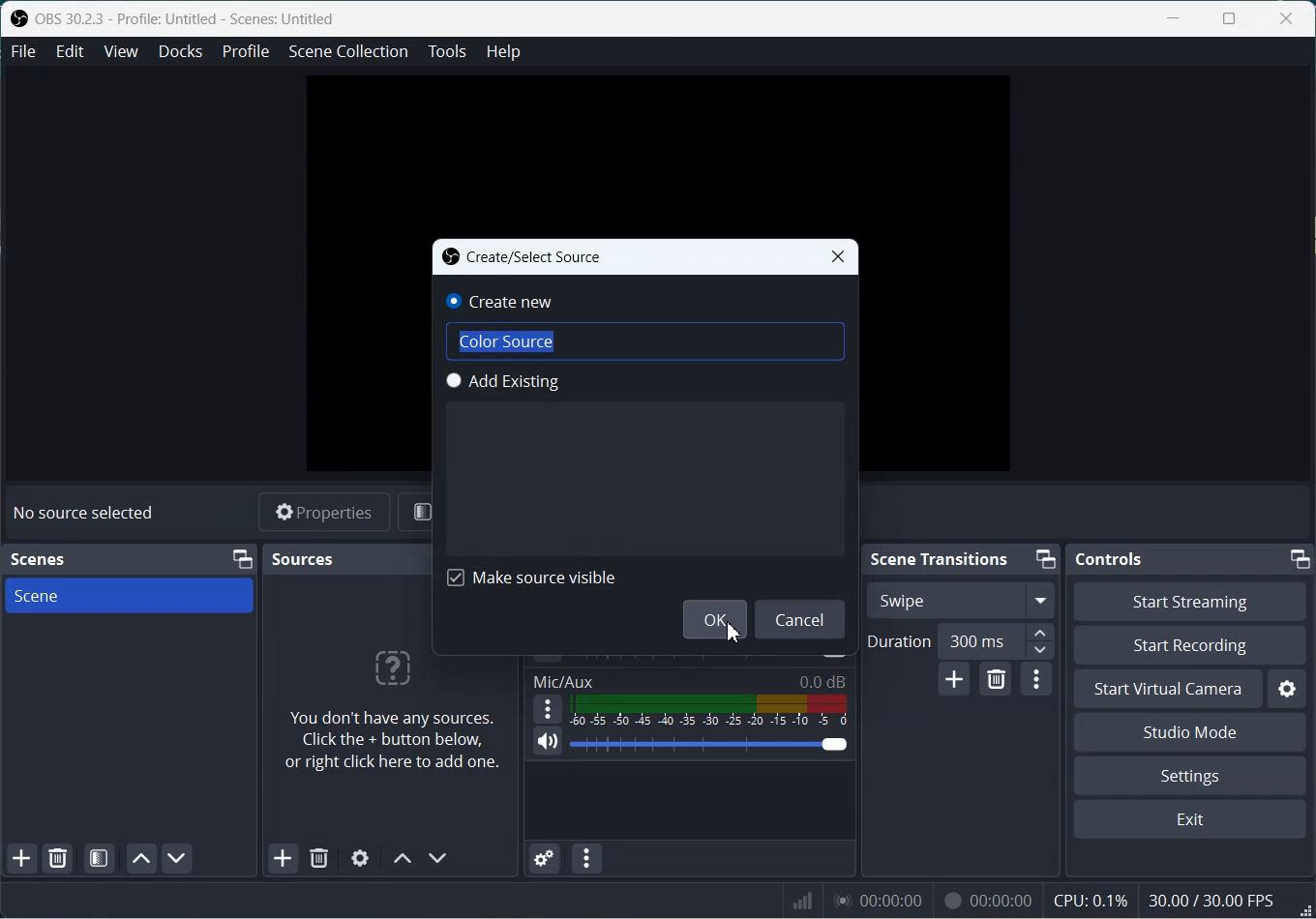 This screenshot has height=919, width=1316. What do you see at coordinates (284, 858) in the screenshot?
I see `Add Source` at bounding box center [284, 858].